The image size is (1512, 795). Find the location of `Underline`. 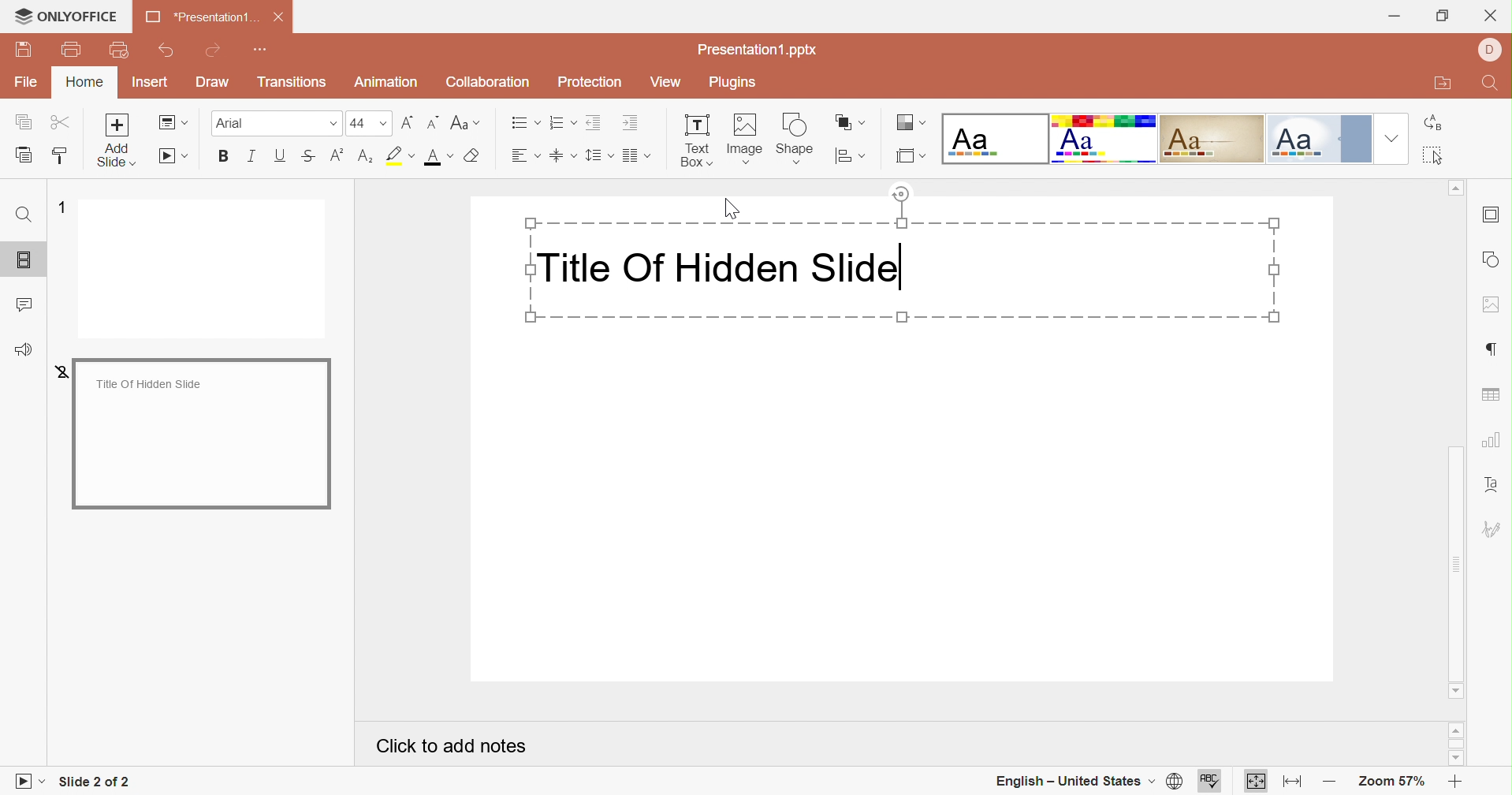

Underline is located at coordinates (283, 155).